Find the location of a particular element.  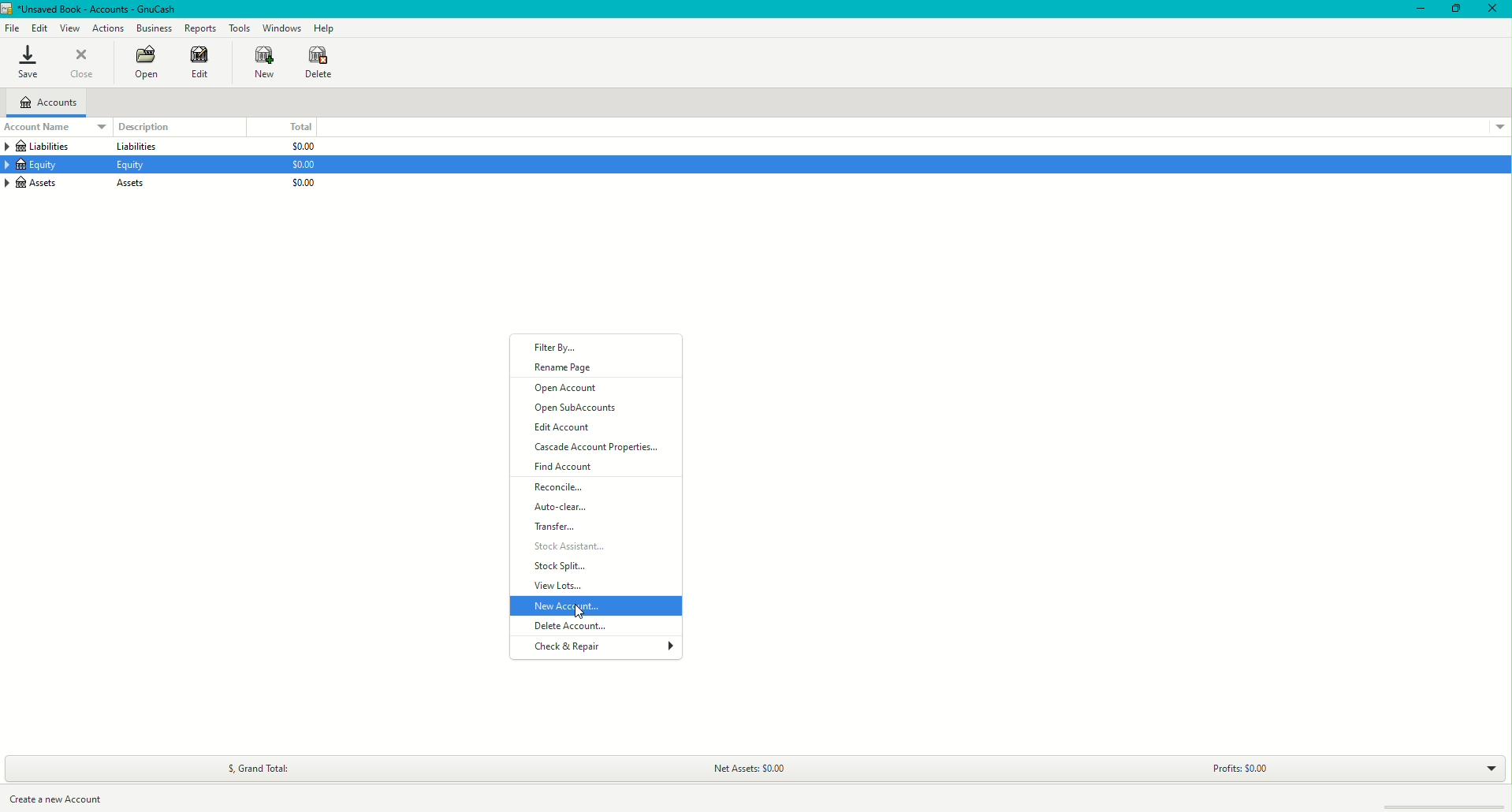

Stock Assistant is located at coordinates (573, 546).